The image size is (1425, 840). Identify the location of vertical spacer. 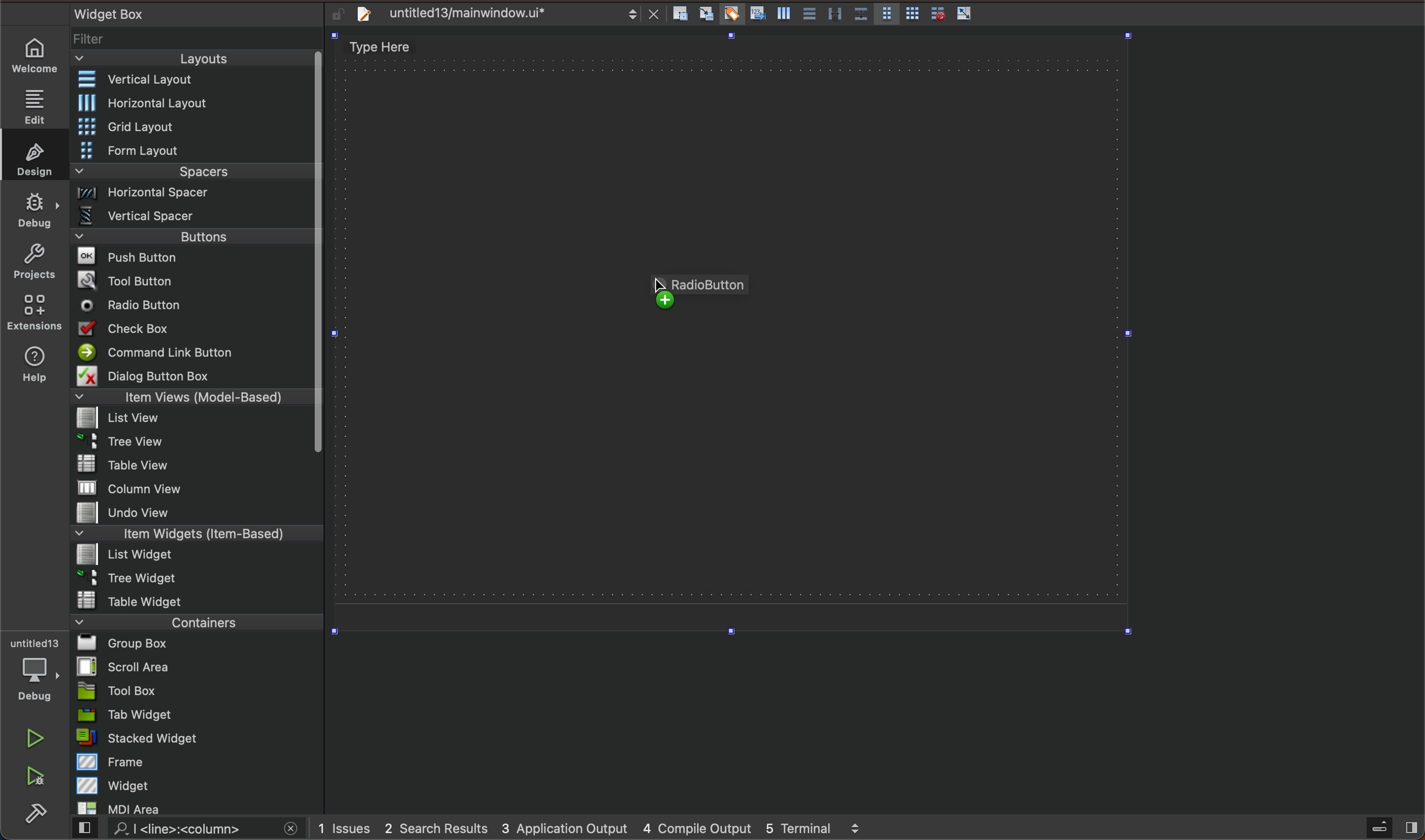
(192, 218).